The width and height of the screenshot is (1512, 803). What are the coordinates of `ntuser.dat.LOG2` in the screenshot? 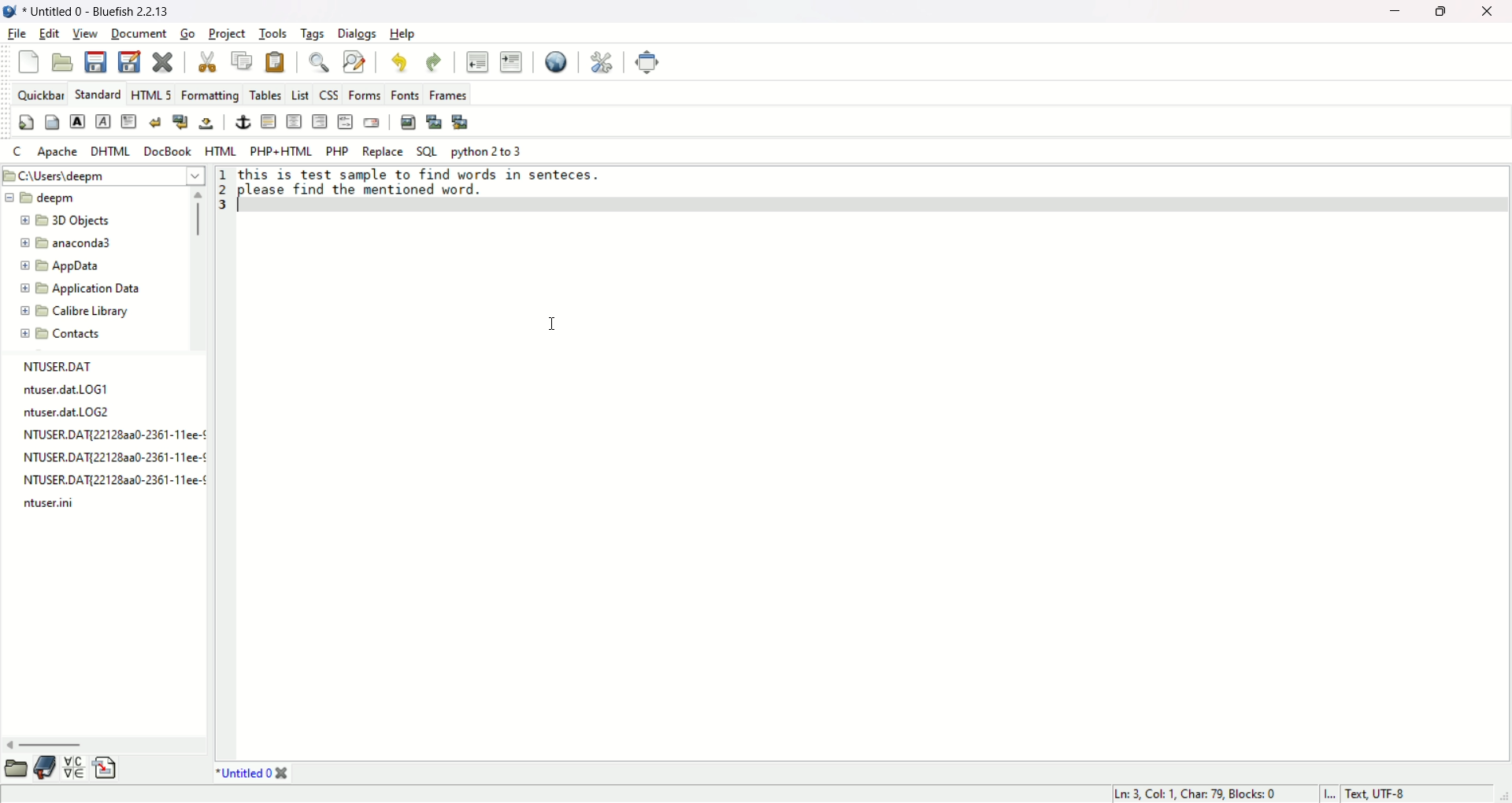 It's located at (68, 412).